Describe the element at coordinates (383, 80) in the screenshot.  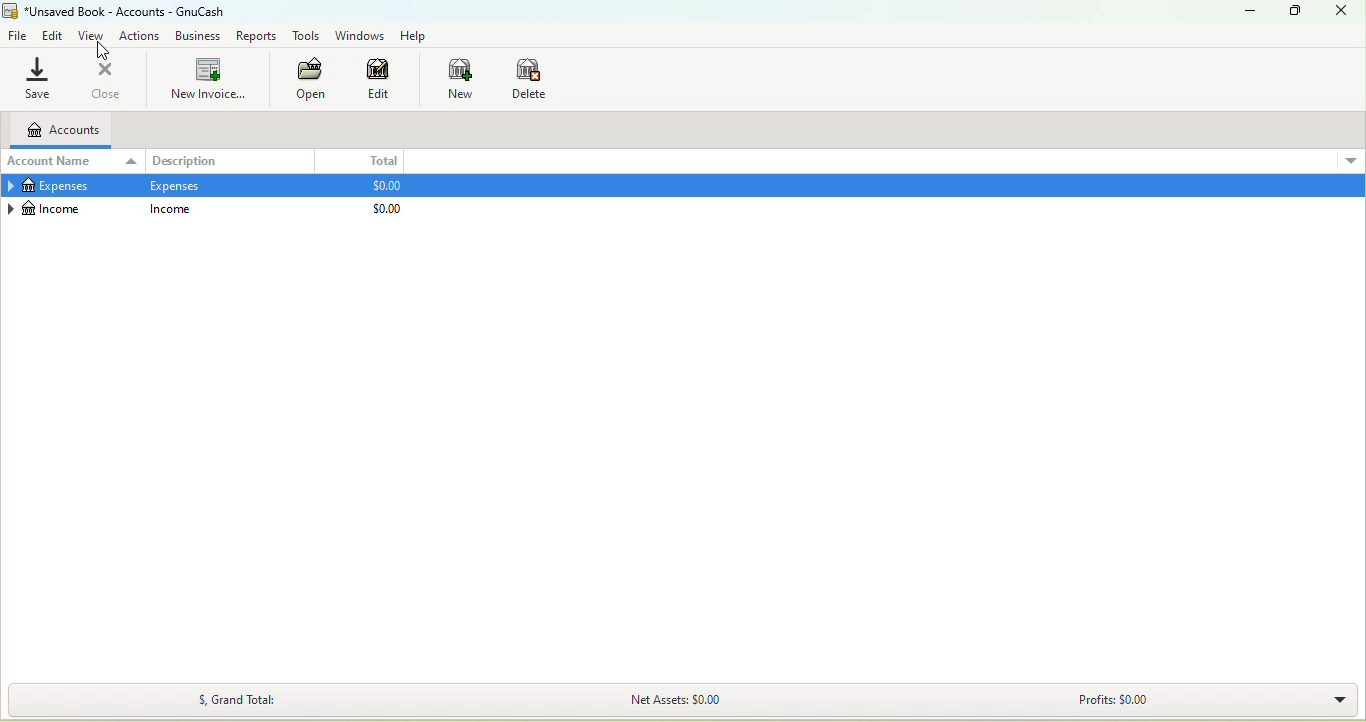
I see `Edit` at that location.